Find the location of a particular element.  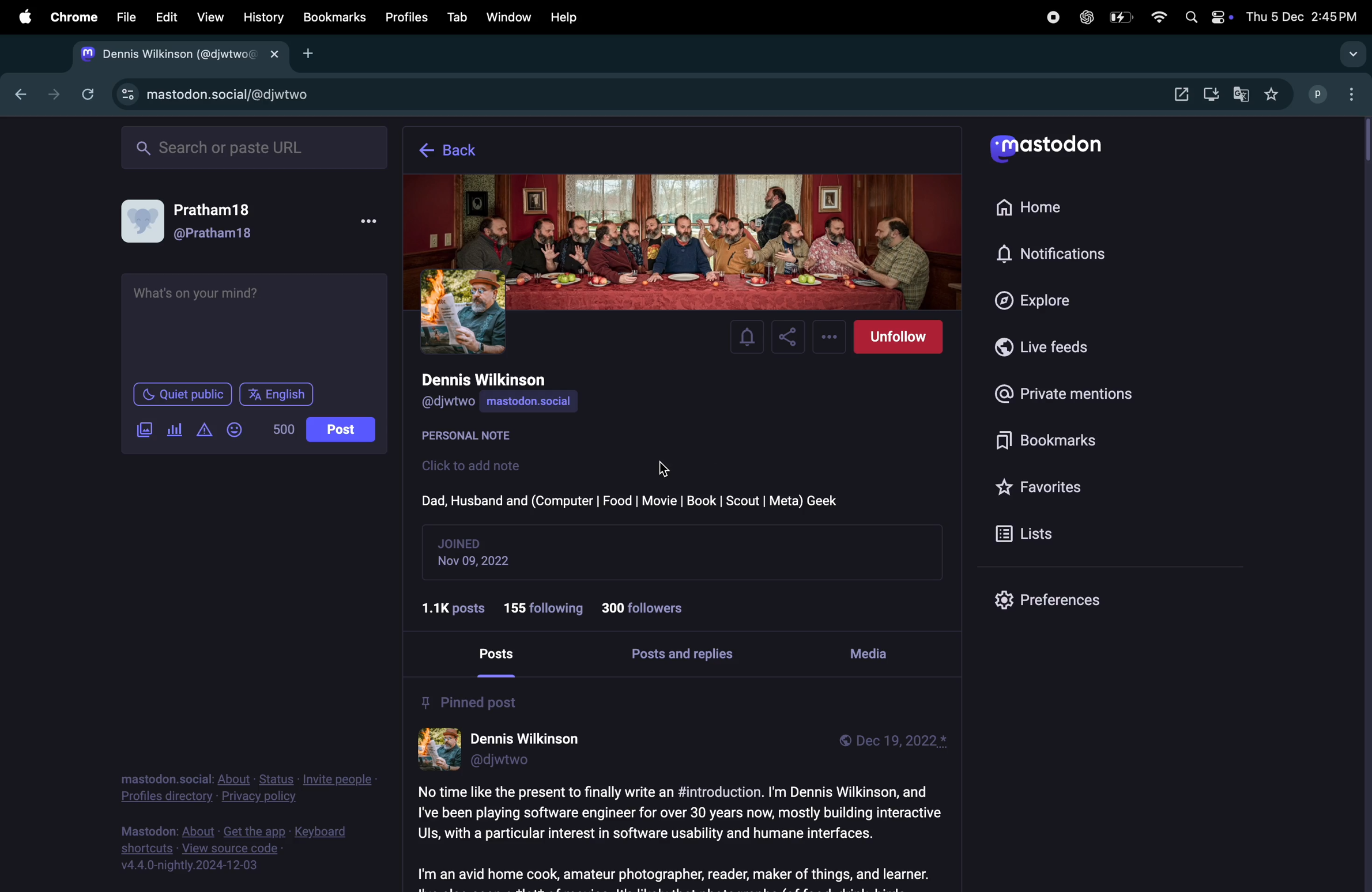

user profile is located at coordinates (201, 219).